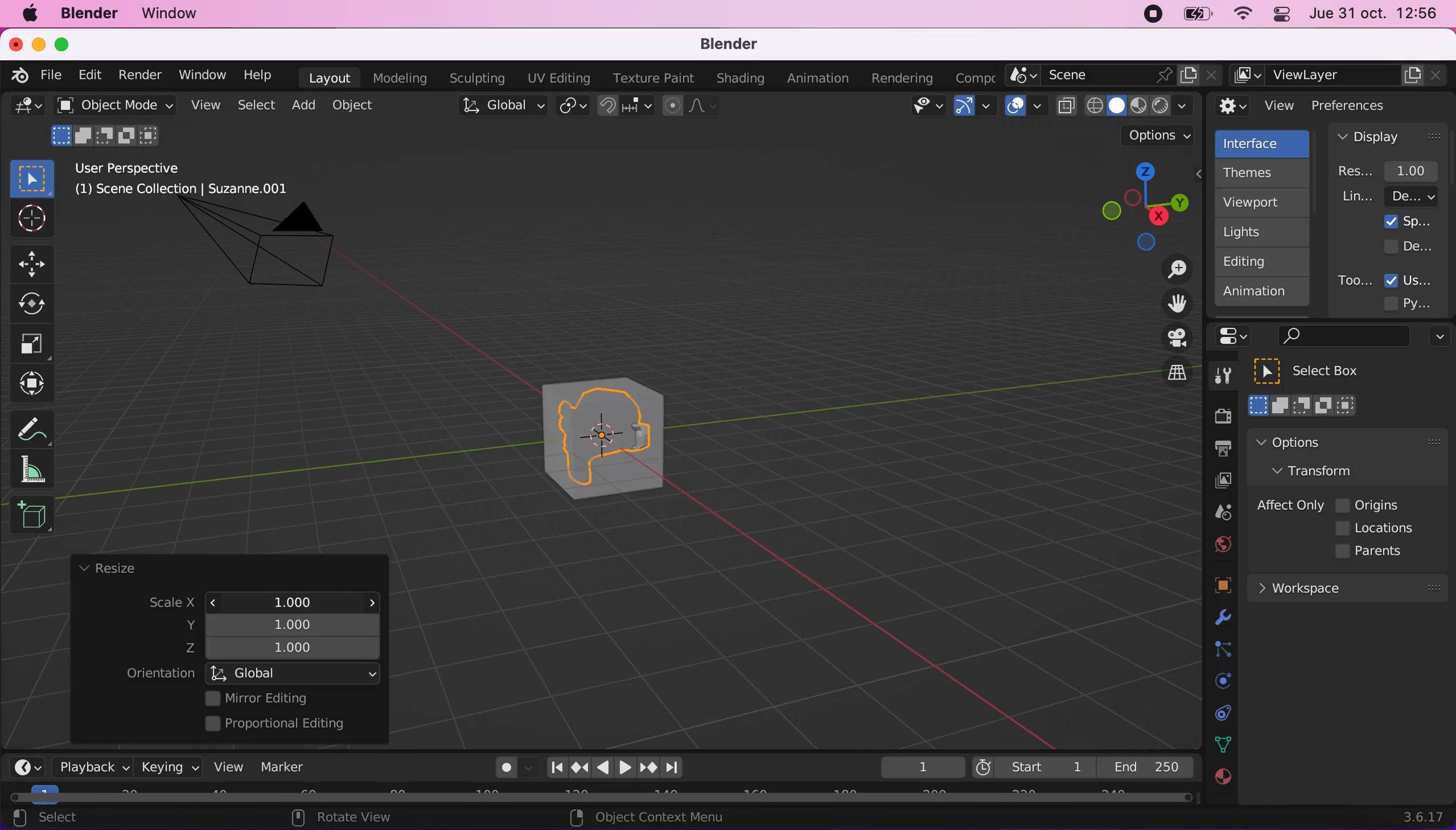  Describe the element at coordinates (1165, 383) in the screenshot. I see `switch the current view` at that location.